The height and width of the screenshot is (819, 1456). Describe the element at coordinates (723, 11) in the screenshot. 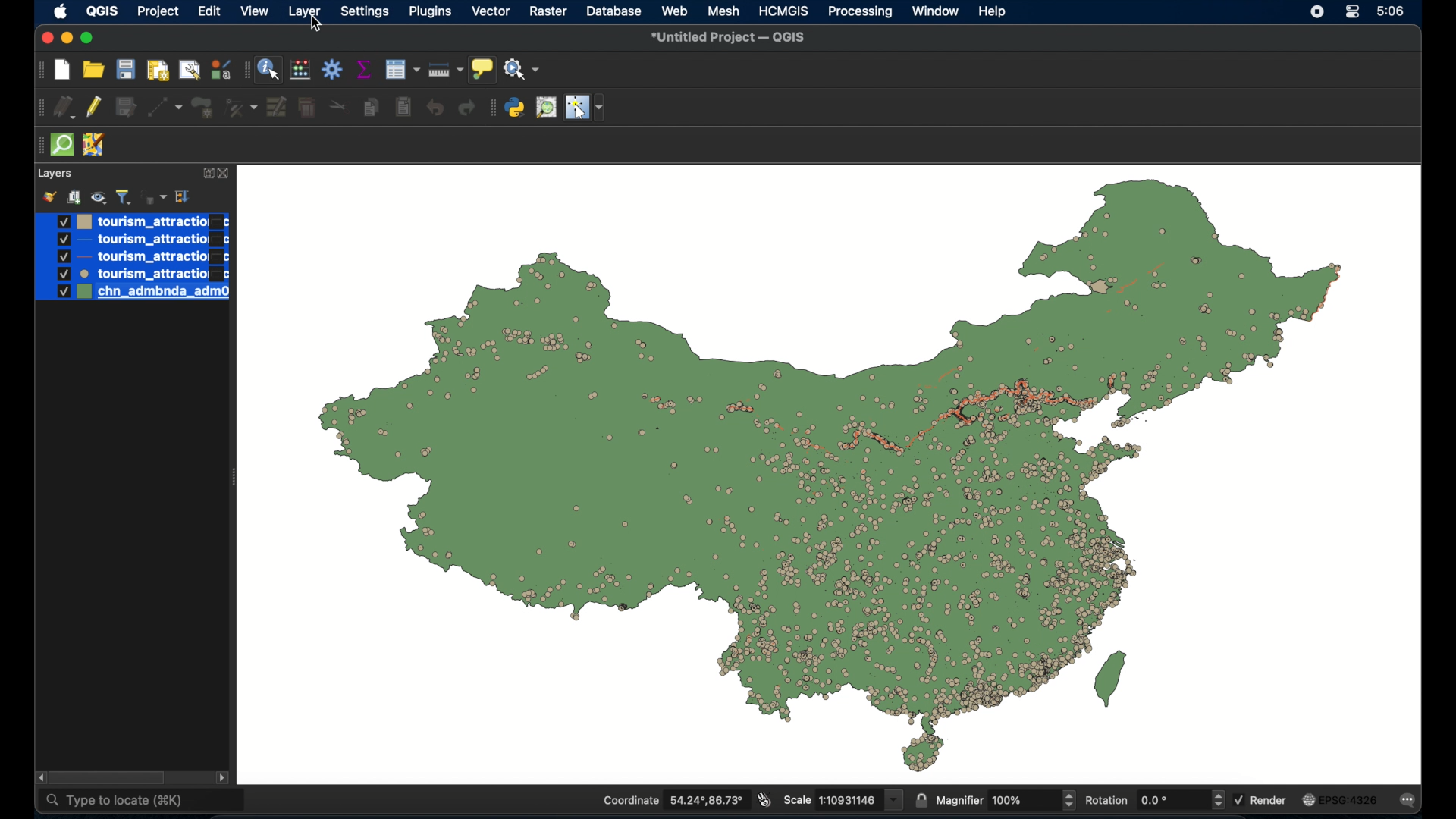

I see `mesh` at that location.